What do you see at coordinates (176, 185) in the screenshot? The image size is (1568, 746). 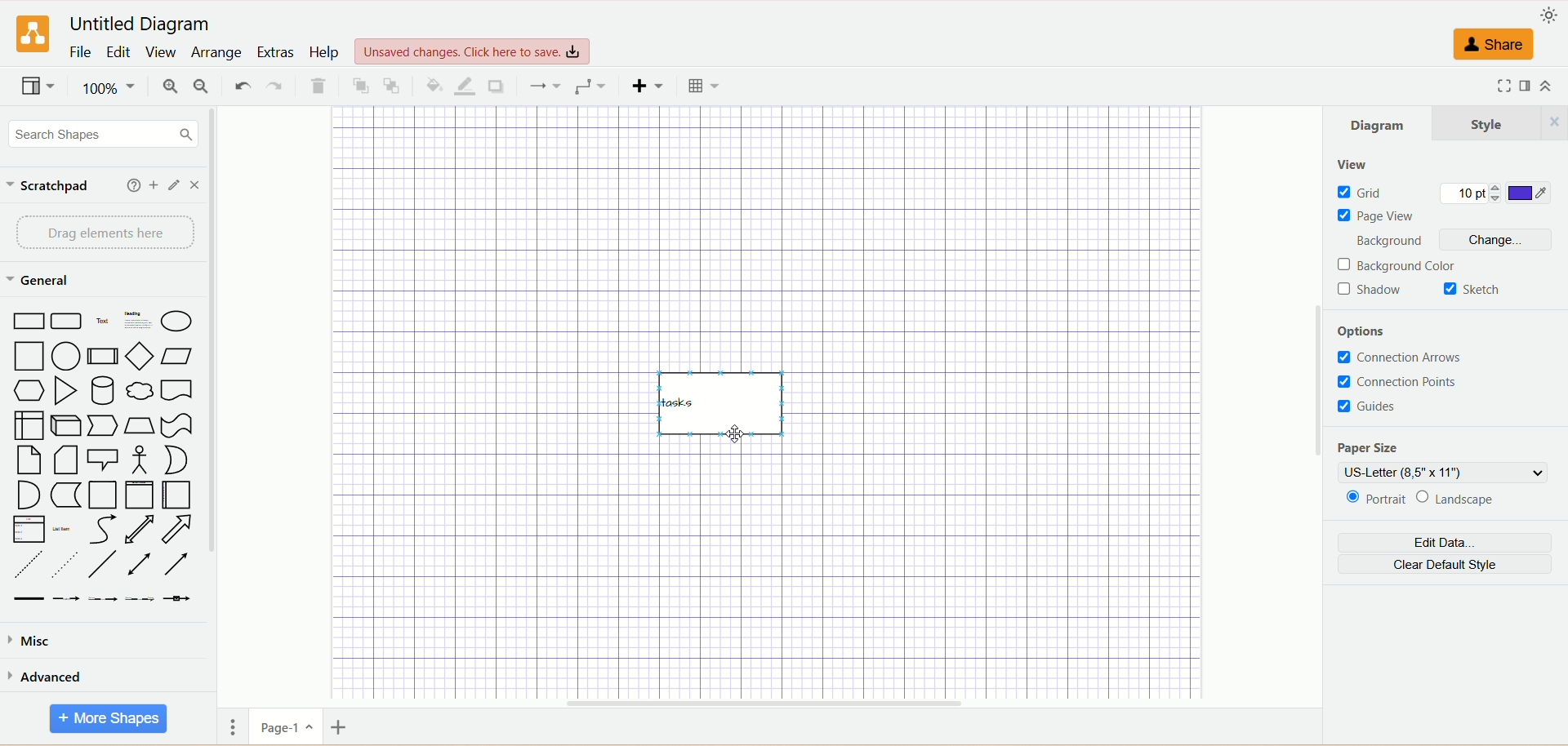 I see `edit` at bounding box center [176, 185].